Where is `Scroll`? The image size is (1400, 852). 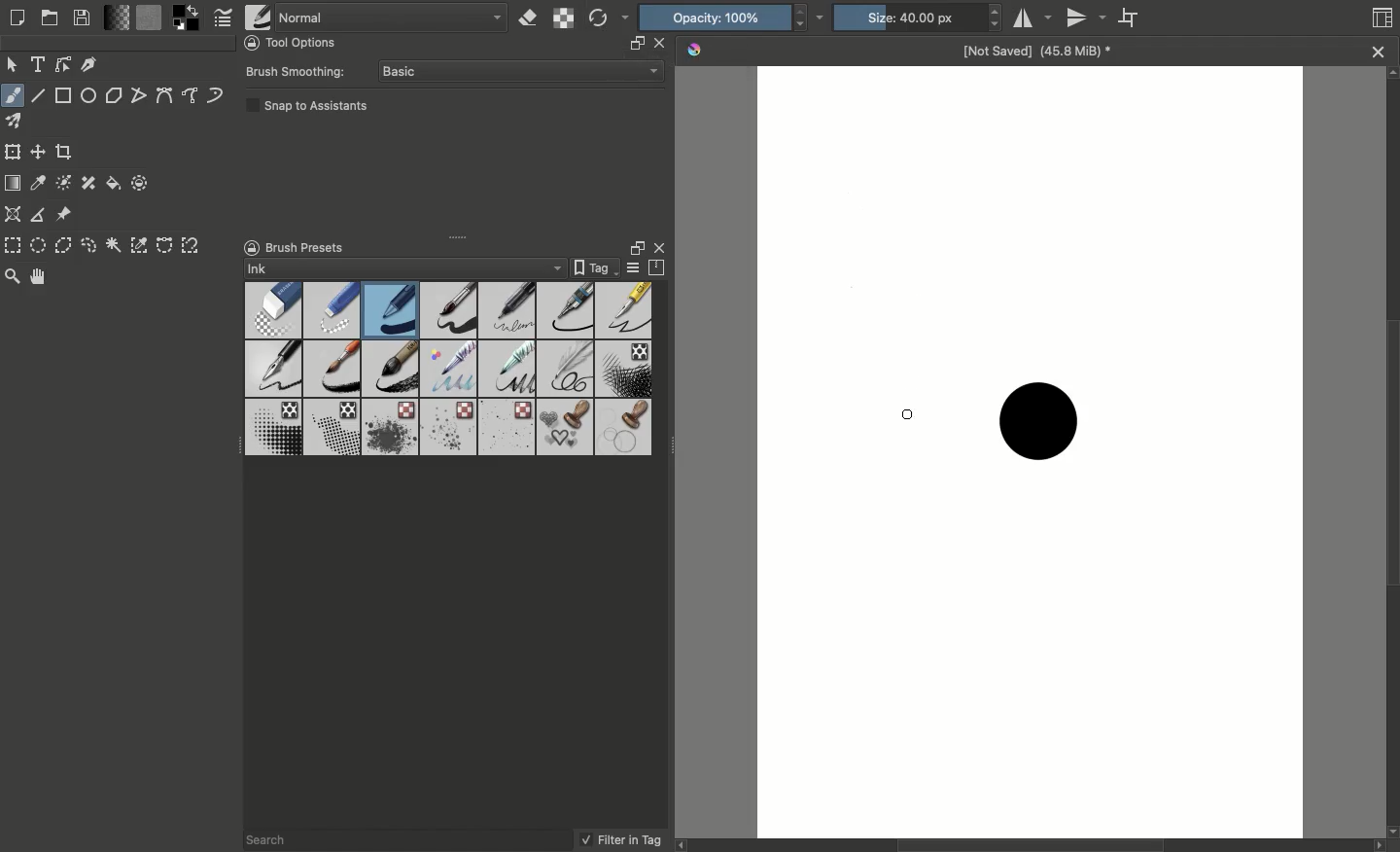
Scroll is located at coordinates (1036, 844).